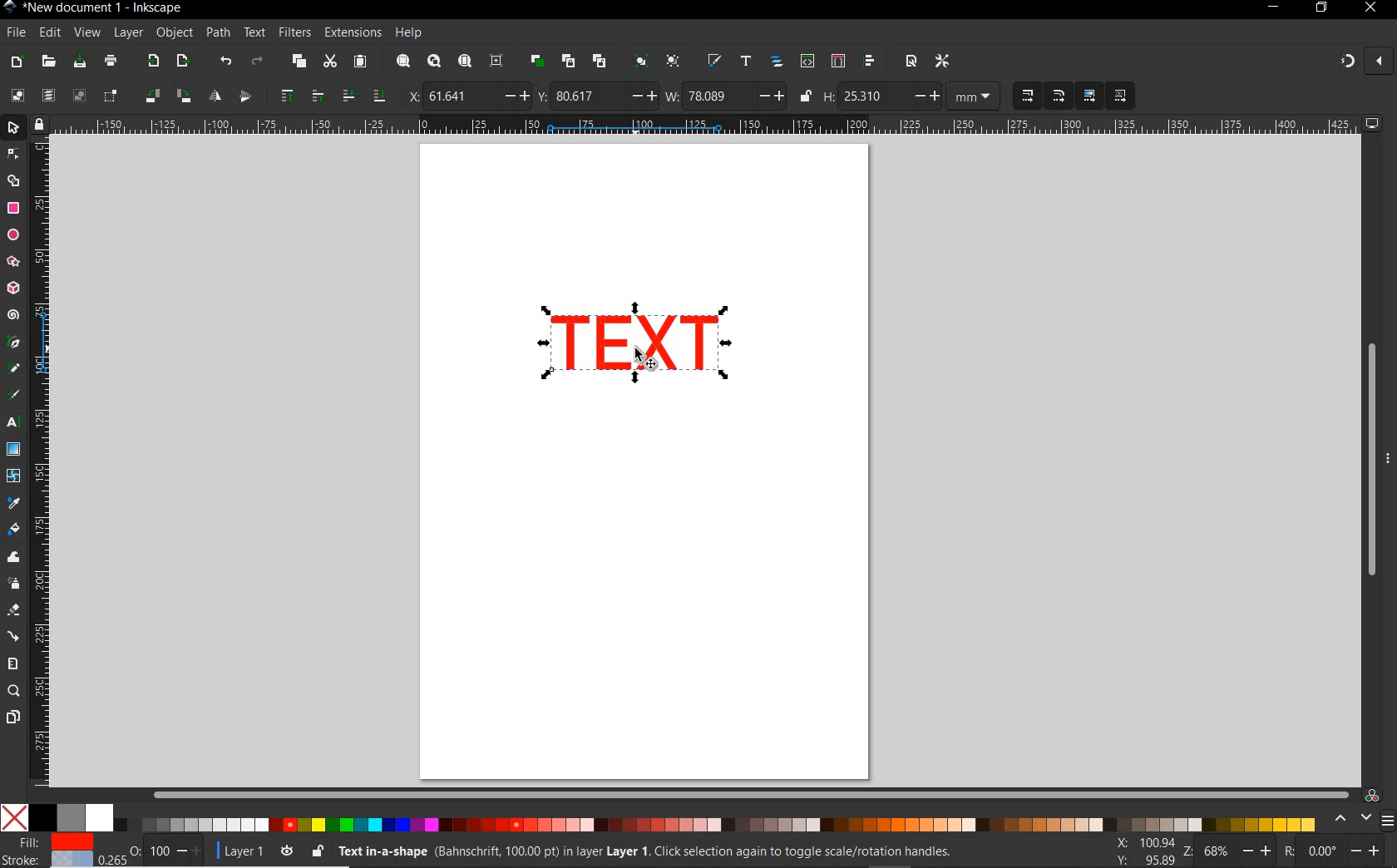 This screenshot has height=868, width=1397. Describe the element at coordinates (17, 96) in the screenshot. I see `select all` at that location.